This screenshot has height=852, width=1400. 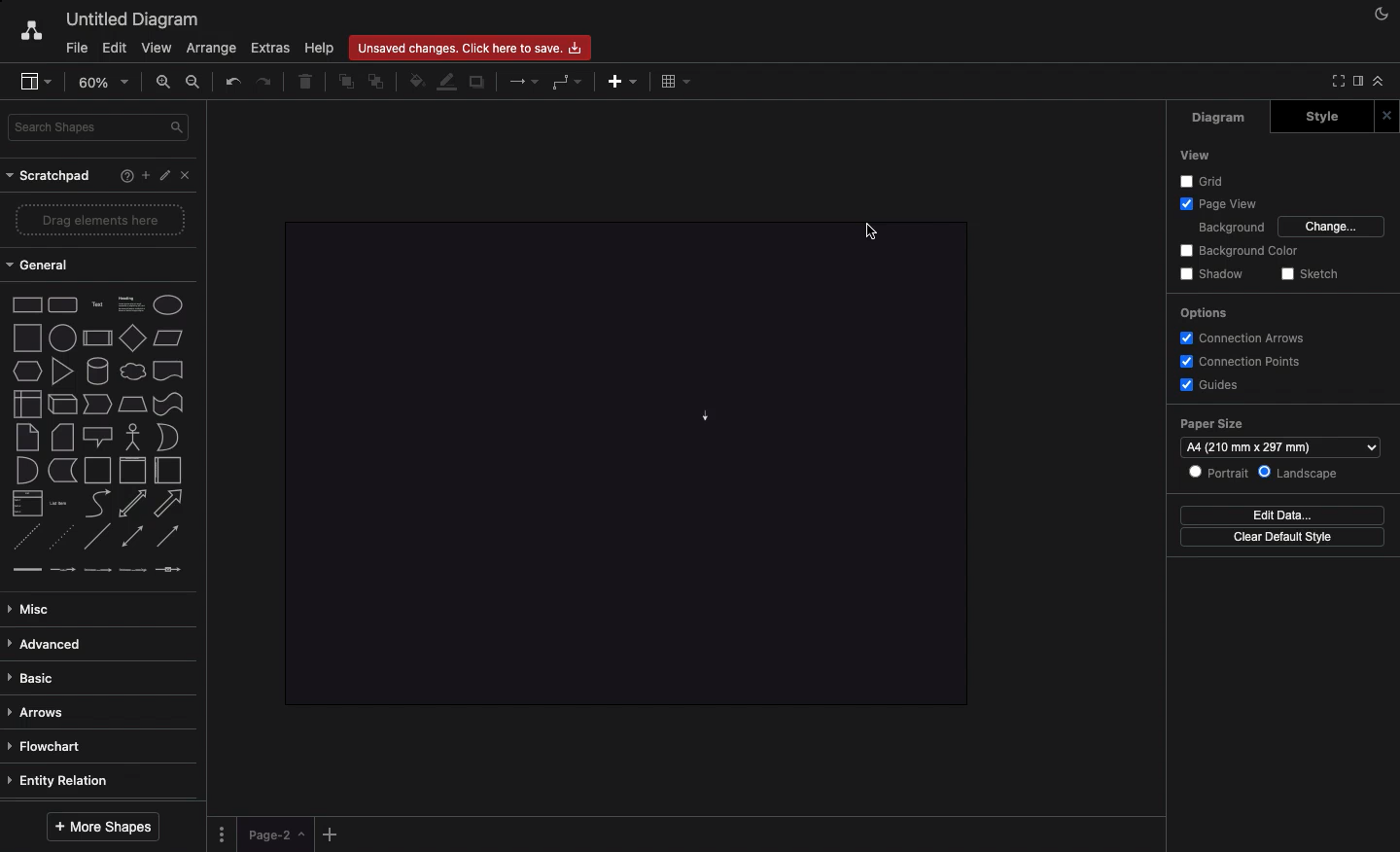 I want to click on Sidebar, so click(x=28, y=79).